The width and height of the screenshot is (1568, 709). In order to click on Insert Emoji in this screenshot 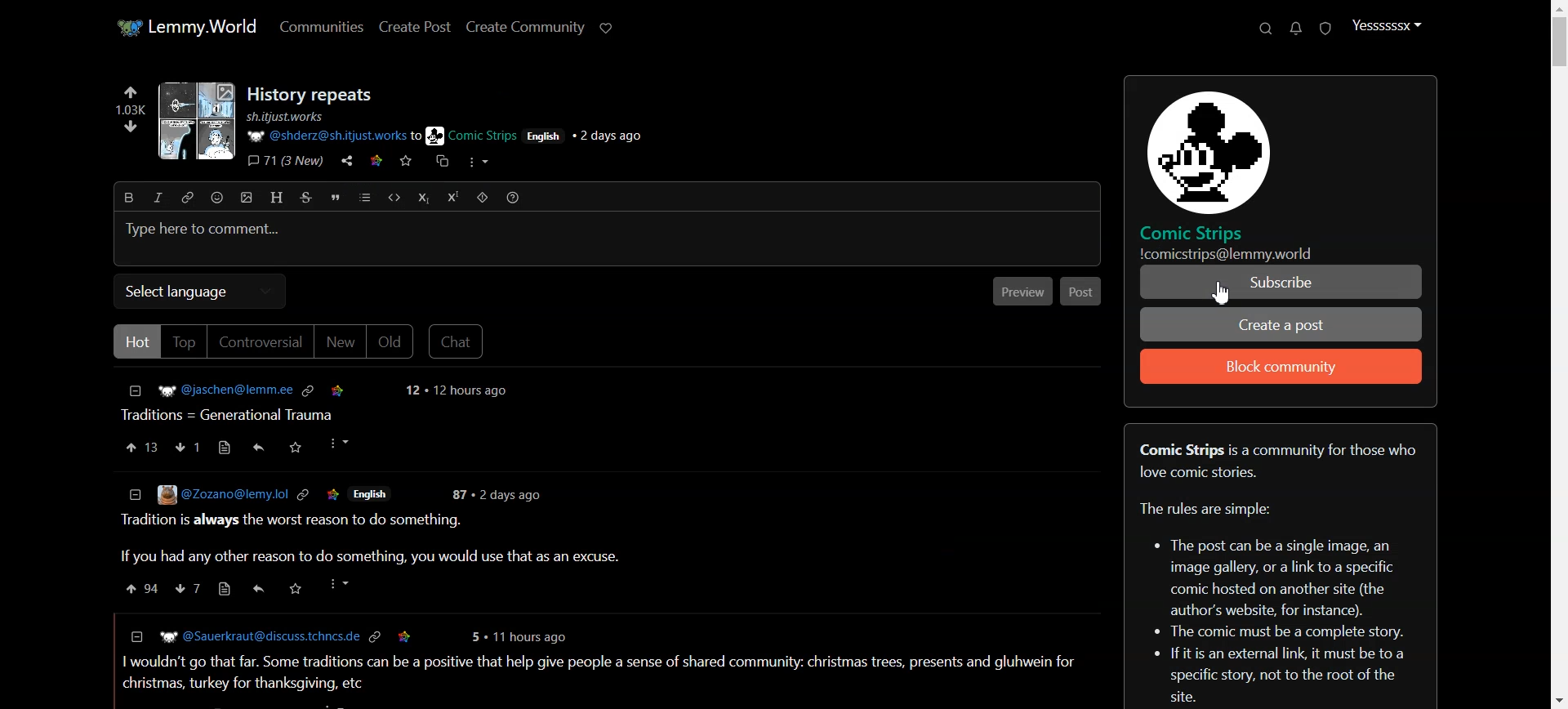, I will do `click(217, 198)`.